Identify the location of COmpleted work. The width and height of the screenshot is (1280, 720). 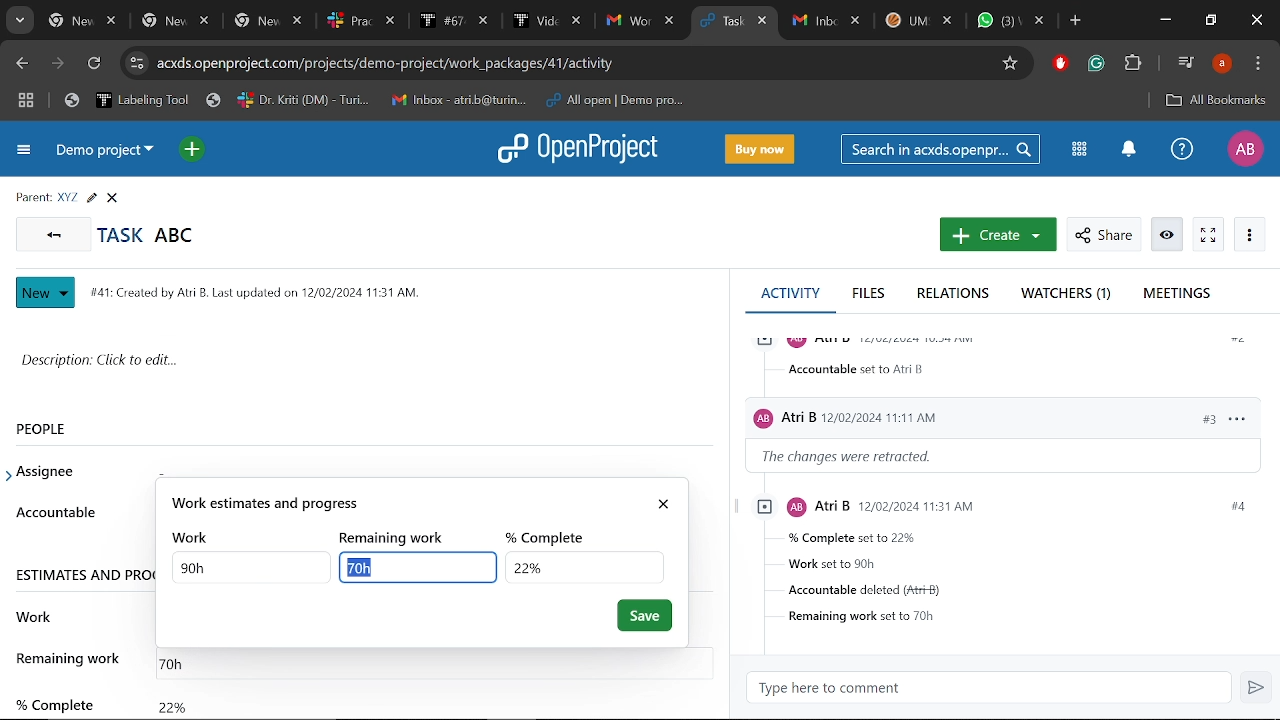
(583, 566).